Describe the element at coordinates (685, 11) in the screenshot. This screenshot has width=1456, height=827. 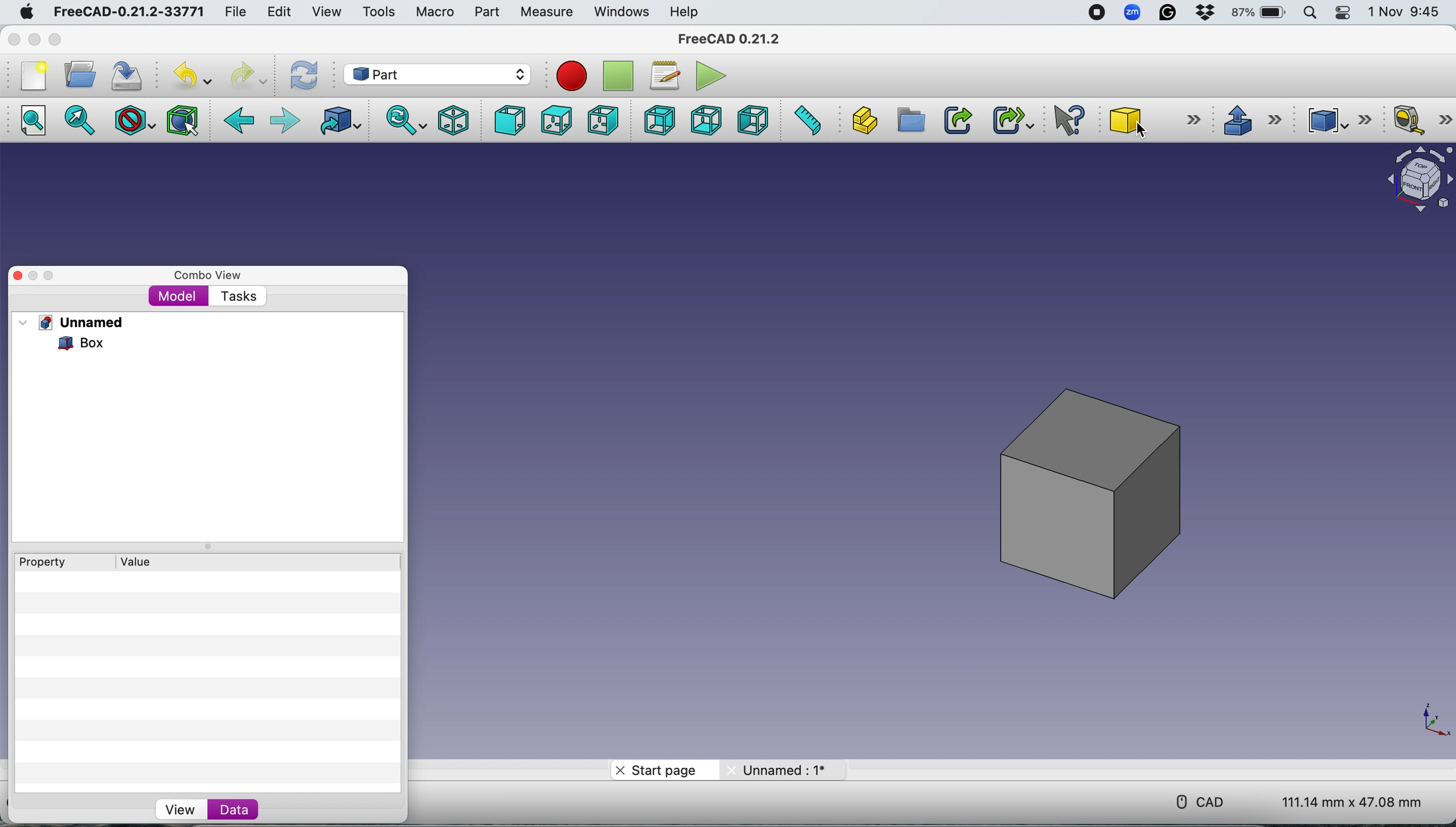
I see `Help` at that location.